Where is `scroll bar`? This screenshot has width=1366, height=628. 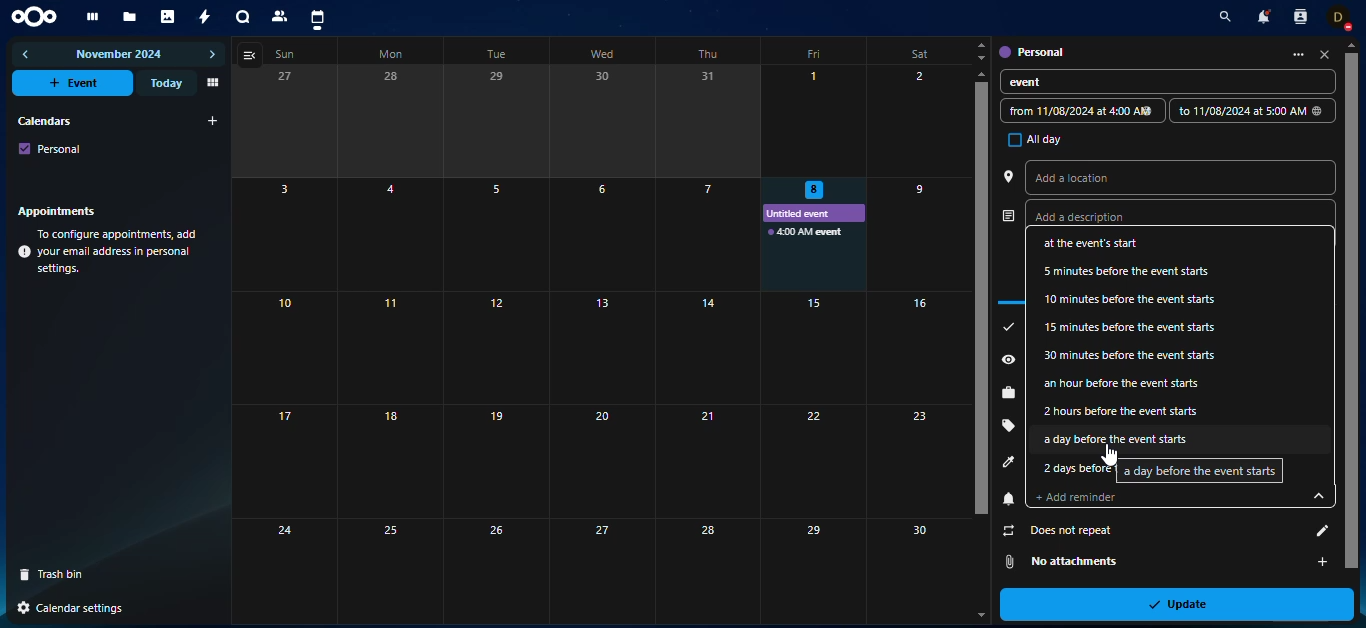
scroll bar is located at coordinates (1350, 301).